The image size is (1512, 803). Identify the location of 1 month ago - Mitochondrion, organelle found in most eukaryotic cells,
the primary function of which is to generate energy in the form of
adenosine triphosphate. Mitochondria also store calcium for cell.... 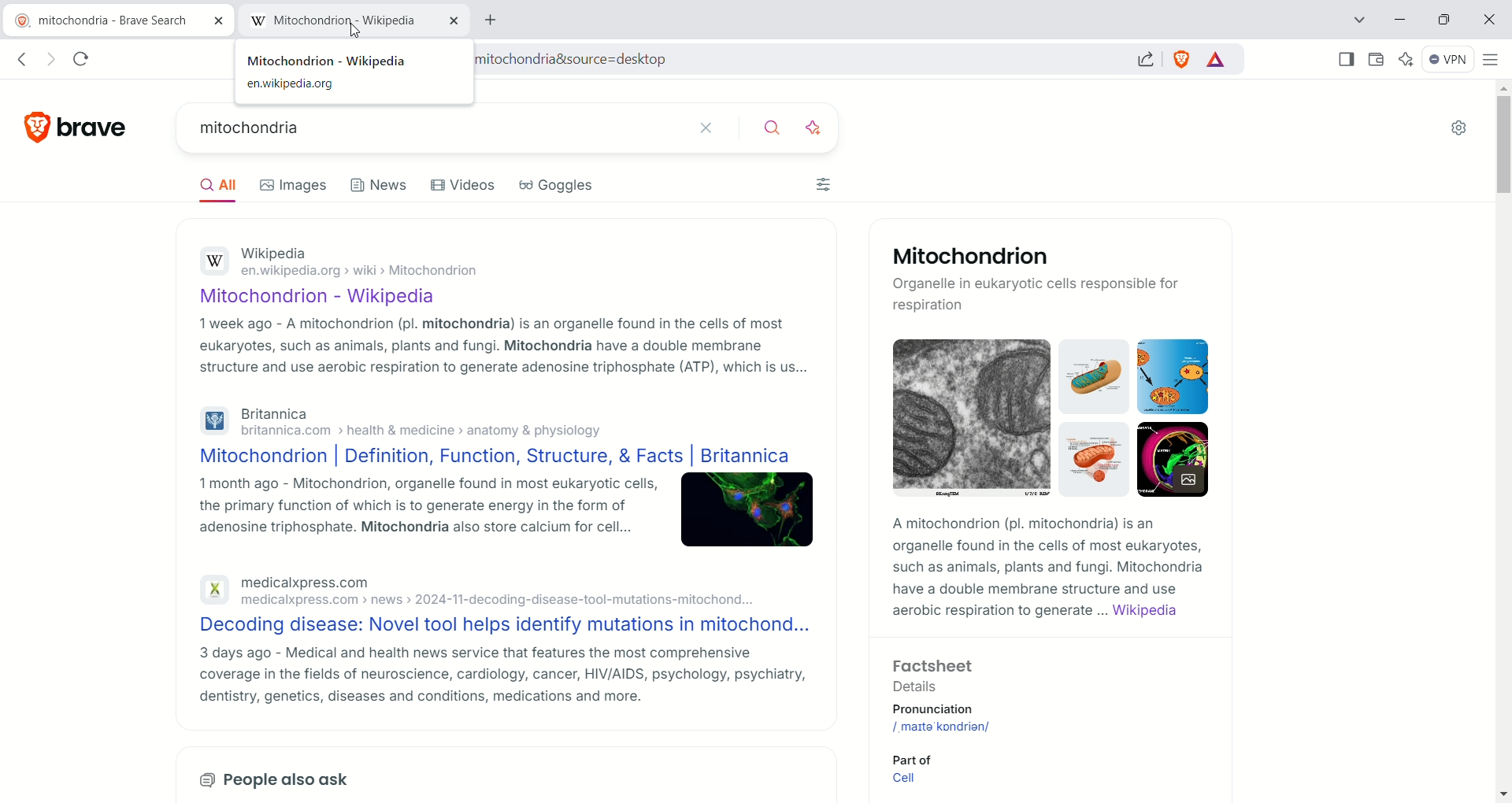
(421, 507).